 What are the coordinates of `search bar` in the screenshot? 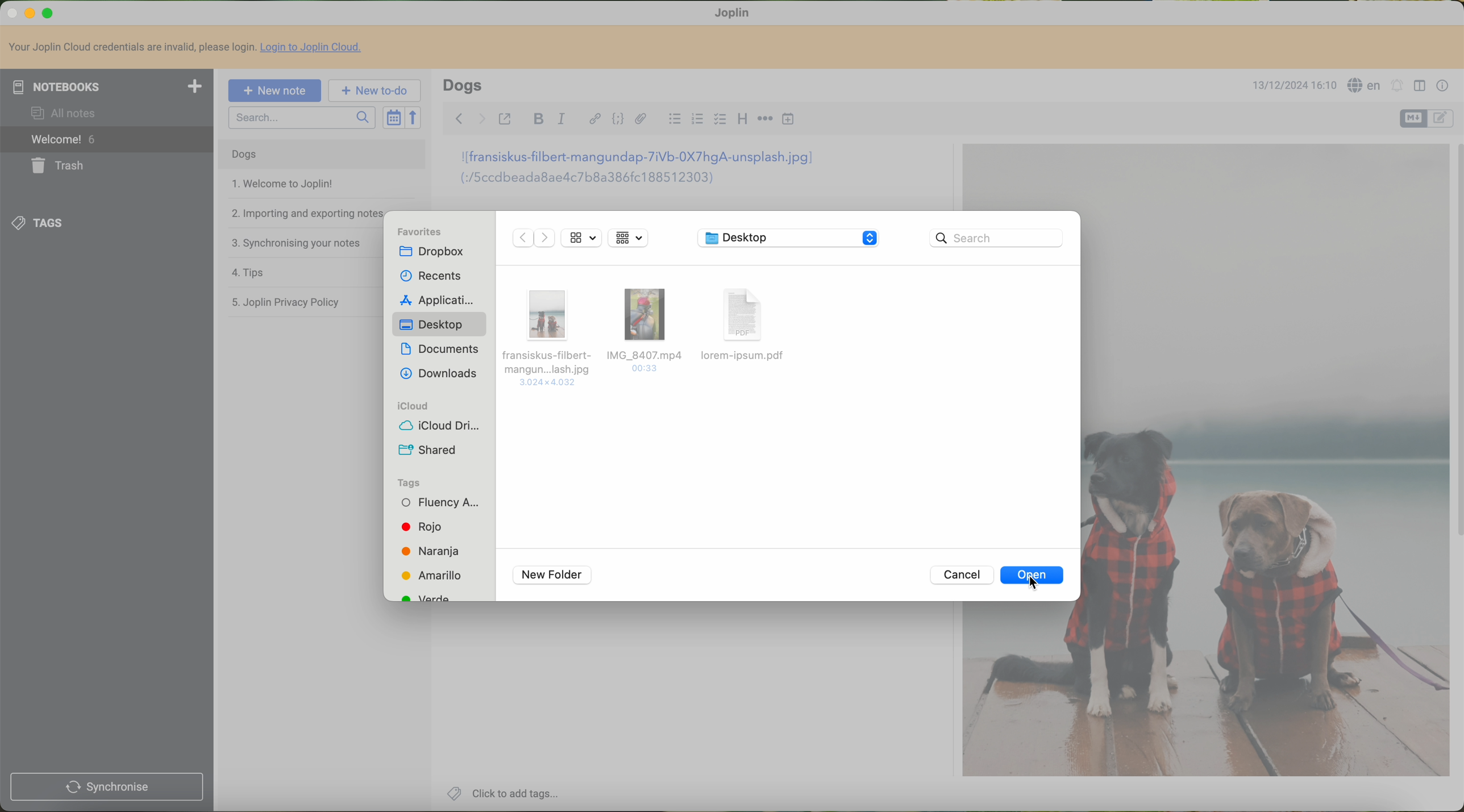 It's located at (1000, 238).